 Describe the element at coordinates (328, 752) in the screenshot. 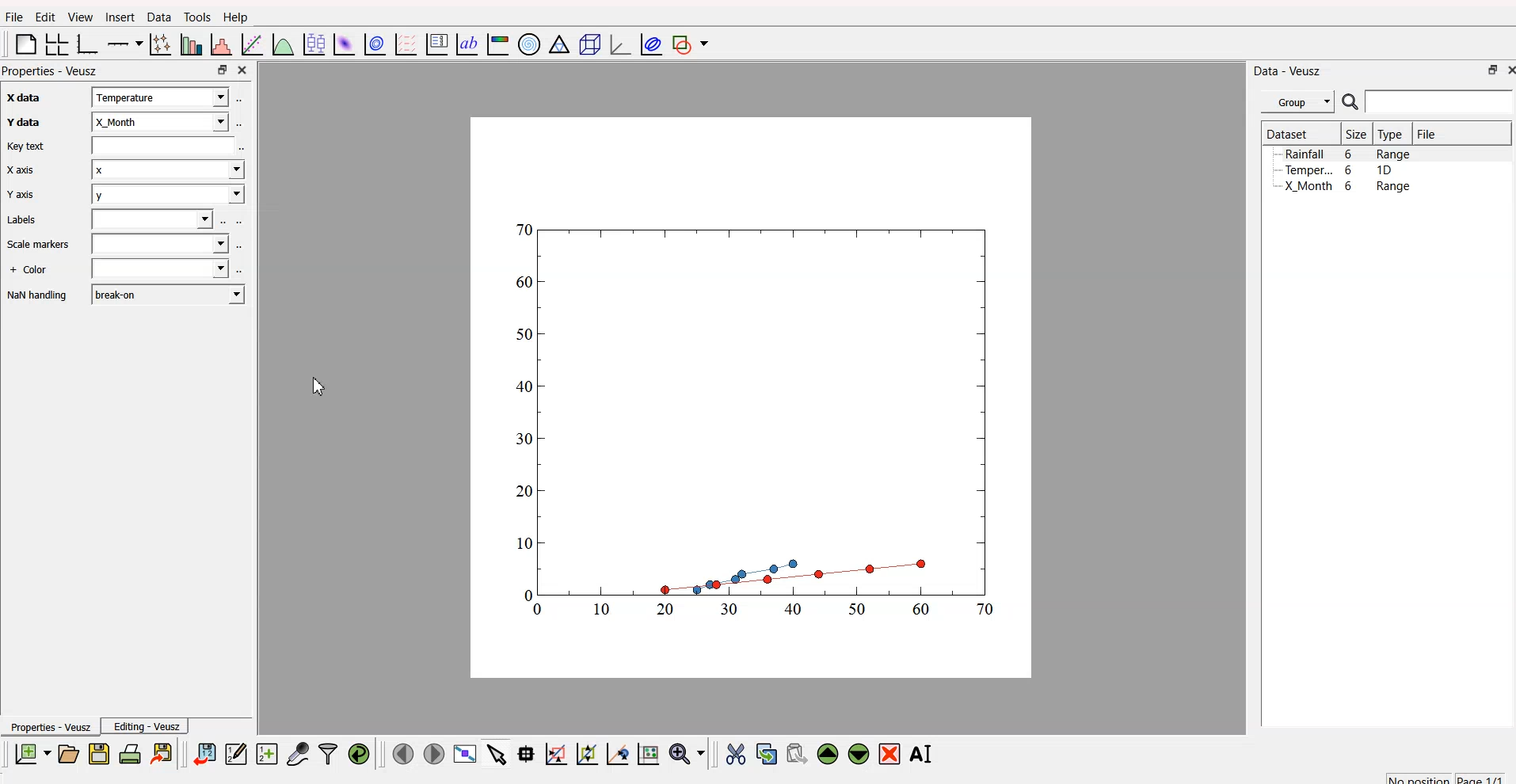

I see `filter data` at that location.